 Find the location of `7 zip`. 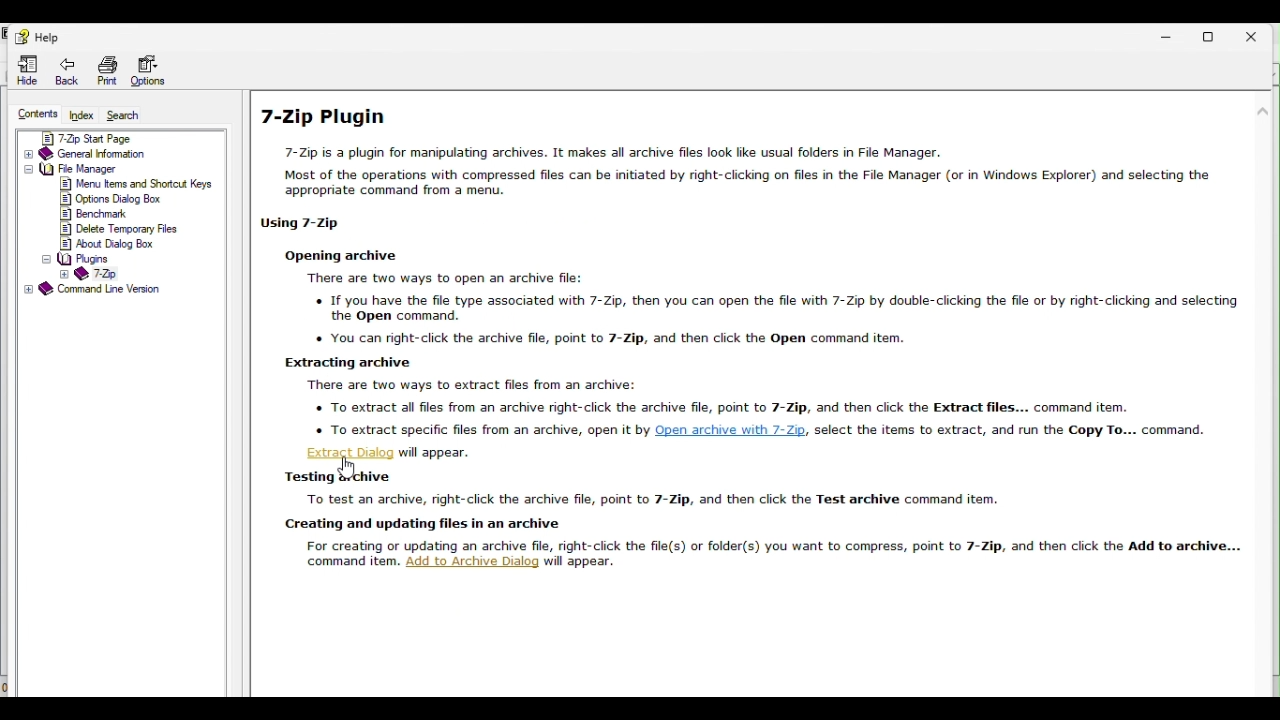

7 zip is located at coordinates (128, 273).